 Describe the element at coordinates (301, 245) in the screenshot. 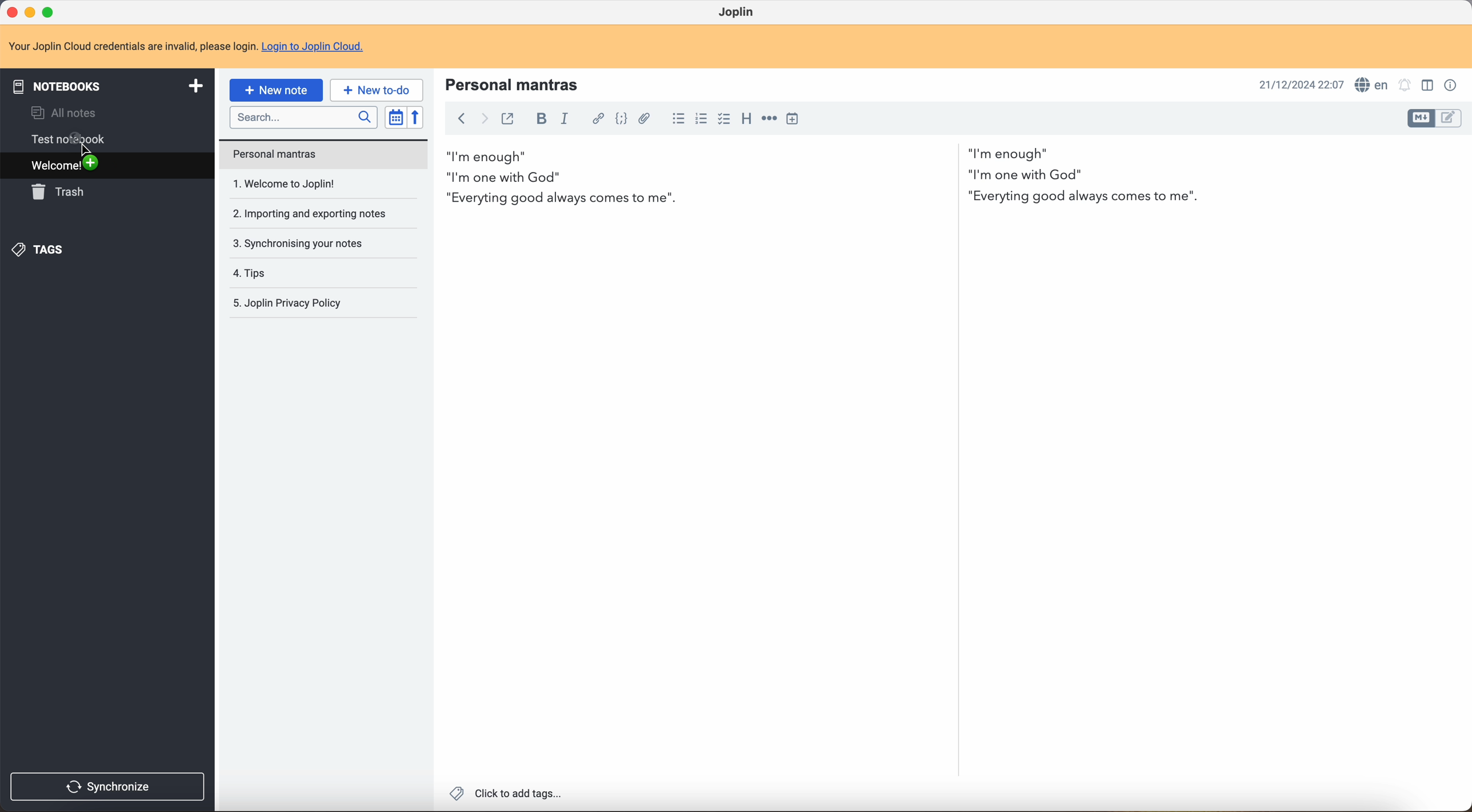

I see `synchronising your notes` at that location.